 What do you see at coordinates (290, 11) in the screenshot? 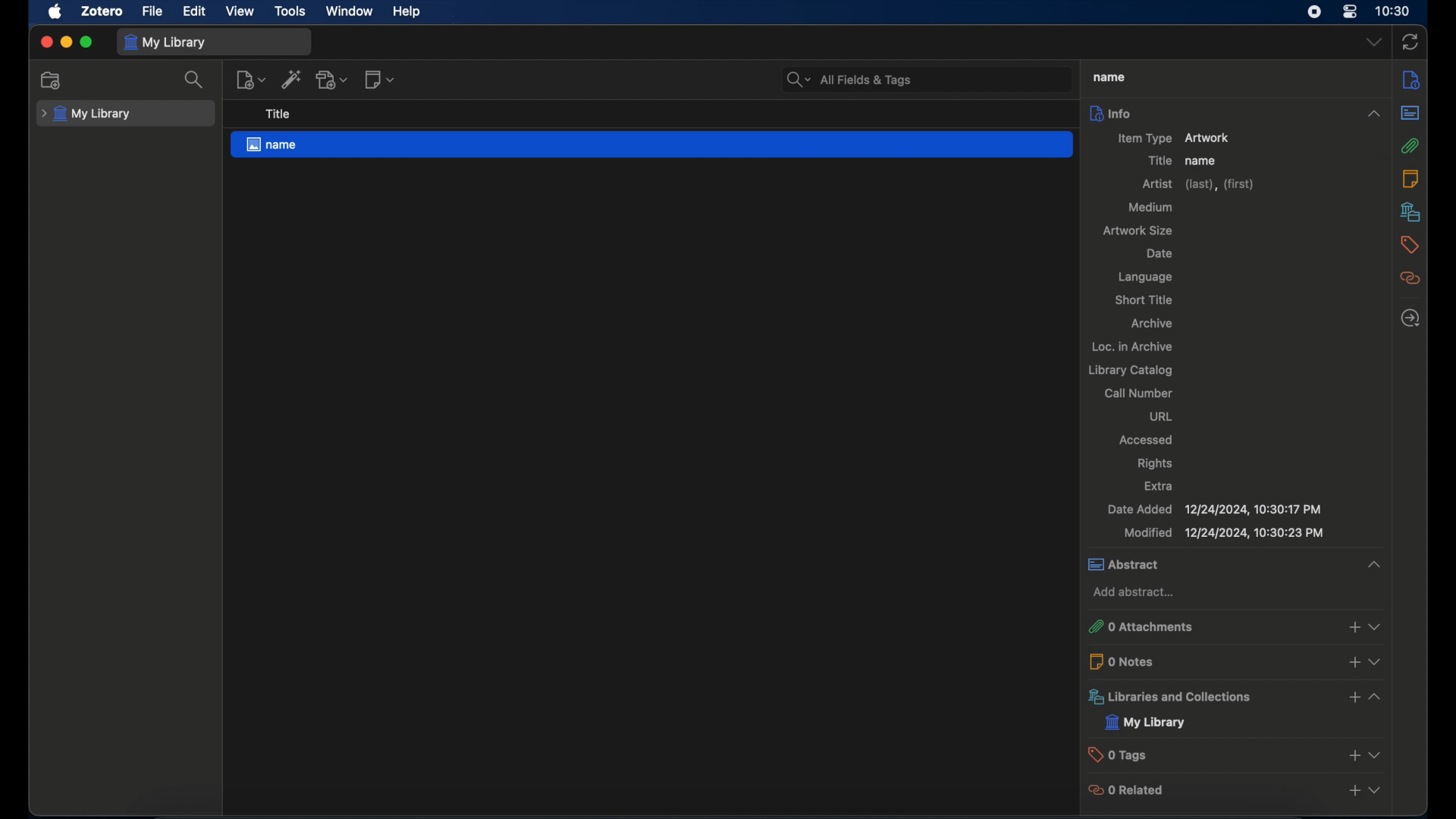
I see `tools` at bounding box center [290, 11].